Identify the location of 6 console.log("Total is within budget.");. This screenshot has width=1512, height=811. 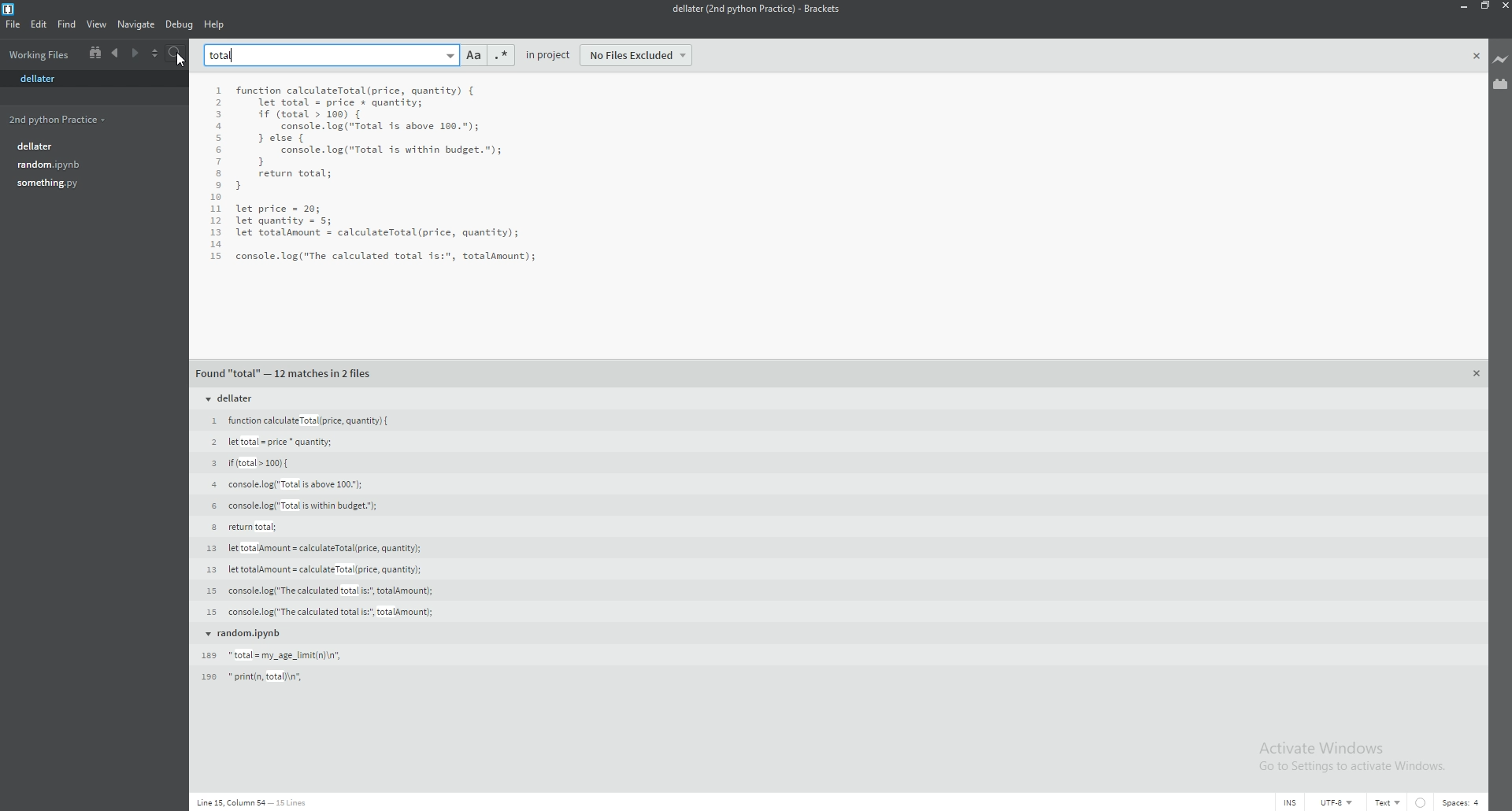
(291, 506).